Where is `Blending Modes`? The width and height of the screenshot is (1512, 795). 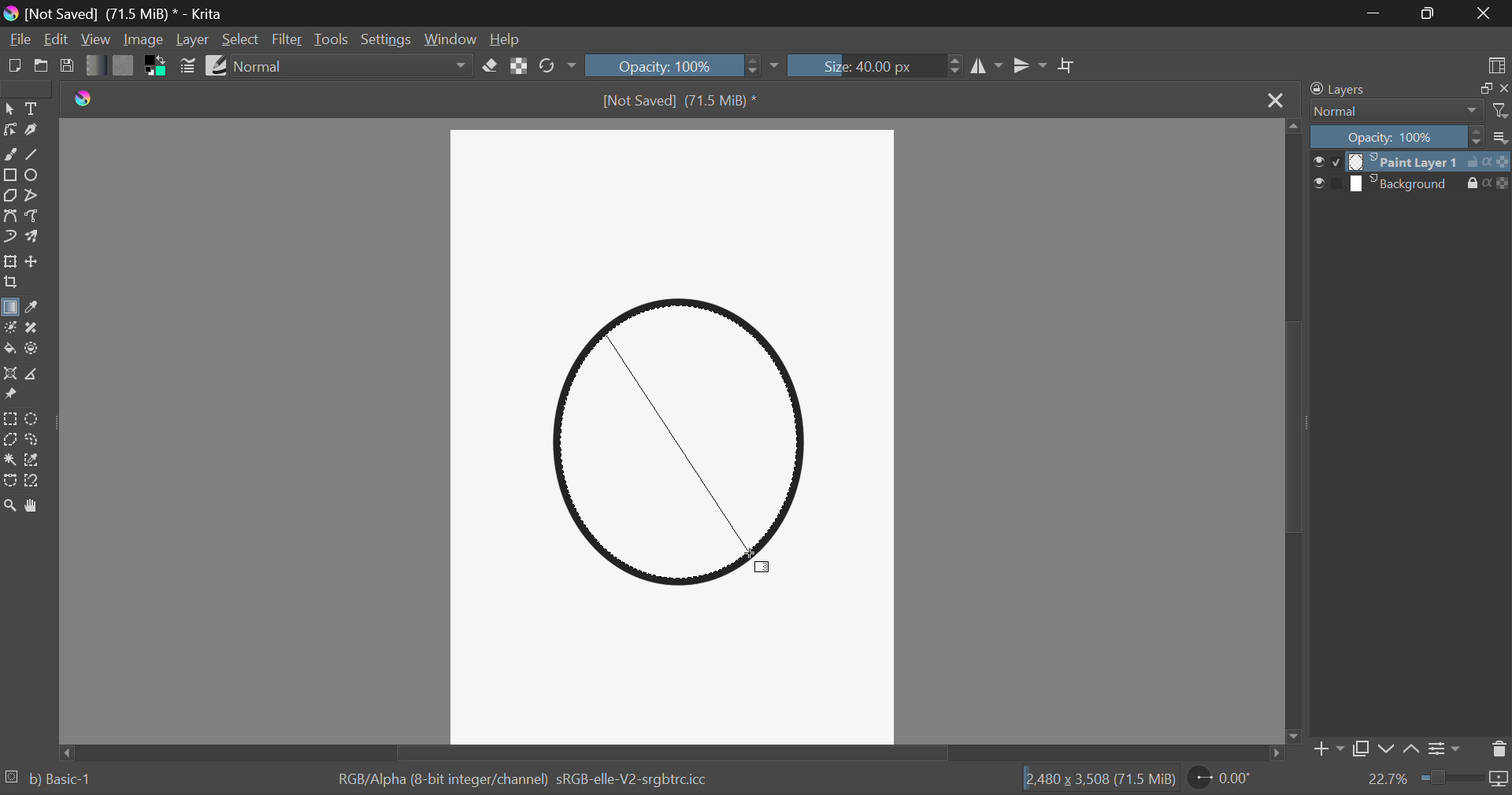
Blending Modes is located at coordinates (350, 65).